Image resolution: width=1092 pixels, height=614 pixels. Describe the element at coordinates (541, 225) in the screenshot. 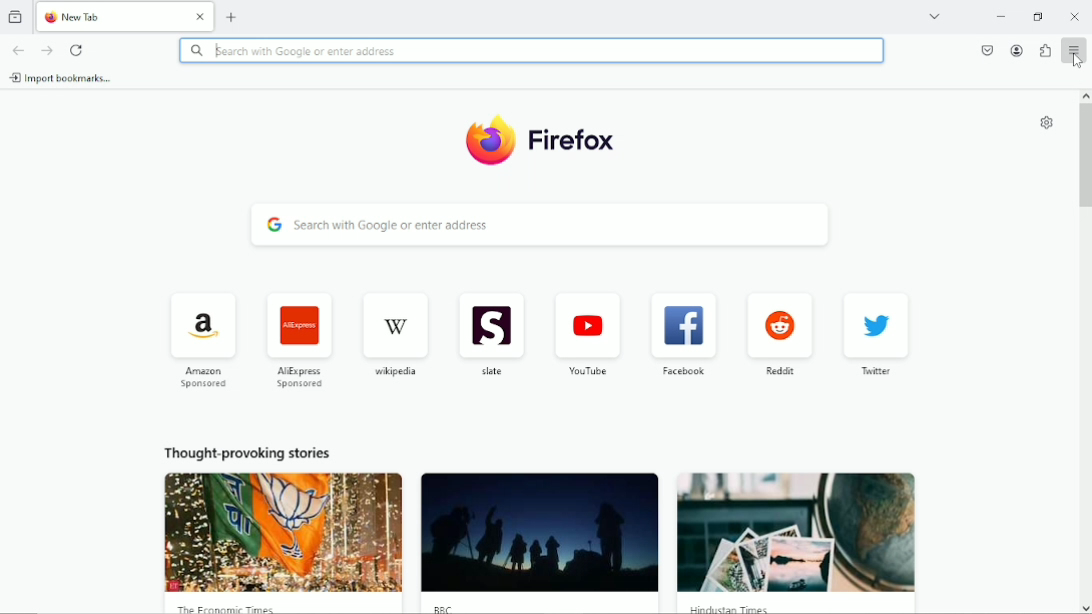

I see `Search with Google or enter address` at that location.